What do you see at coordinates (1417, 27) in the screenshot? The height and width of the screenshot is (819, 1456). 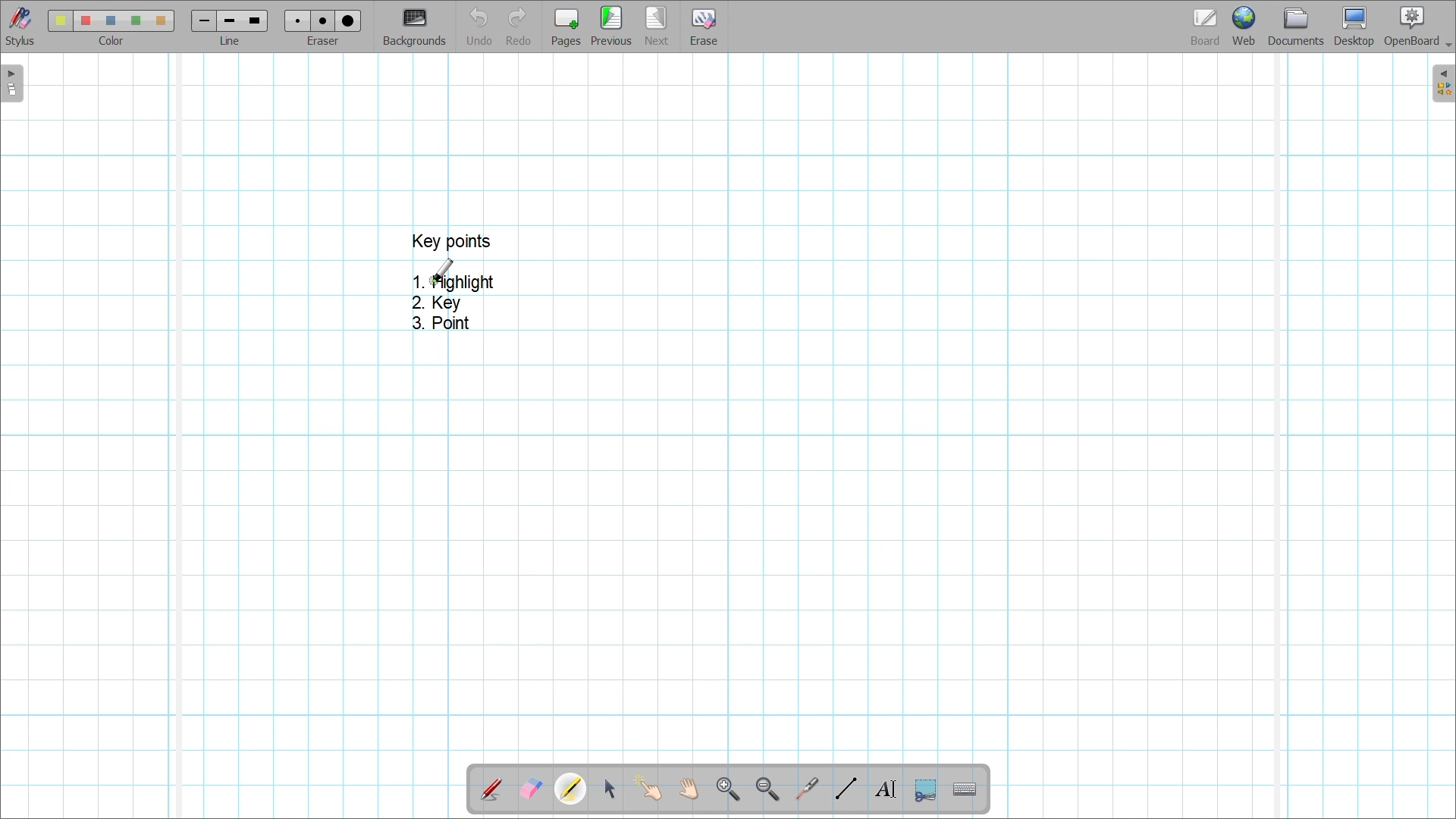 I see `OpenBoard` at bounding box center [1417, 27].